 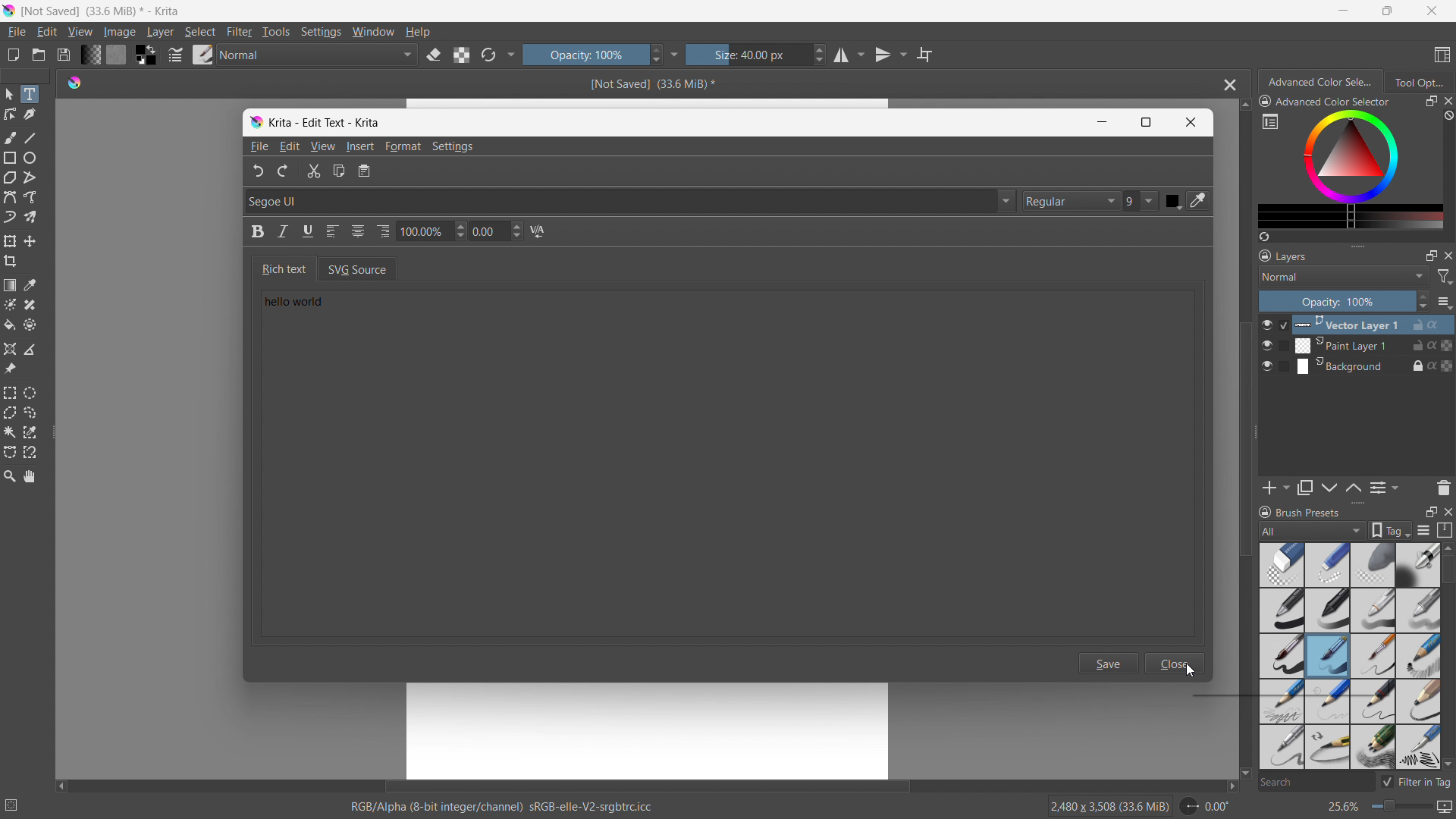 What do you see at coordinates (1447, 101) in the screenshot?
I see `close` at bounding box center [1447, 101].